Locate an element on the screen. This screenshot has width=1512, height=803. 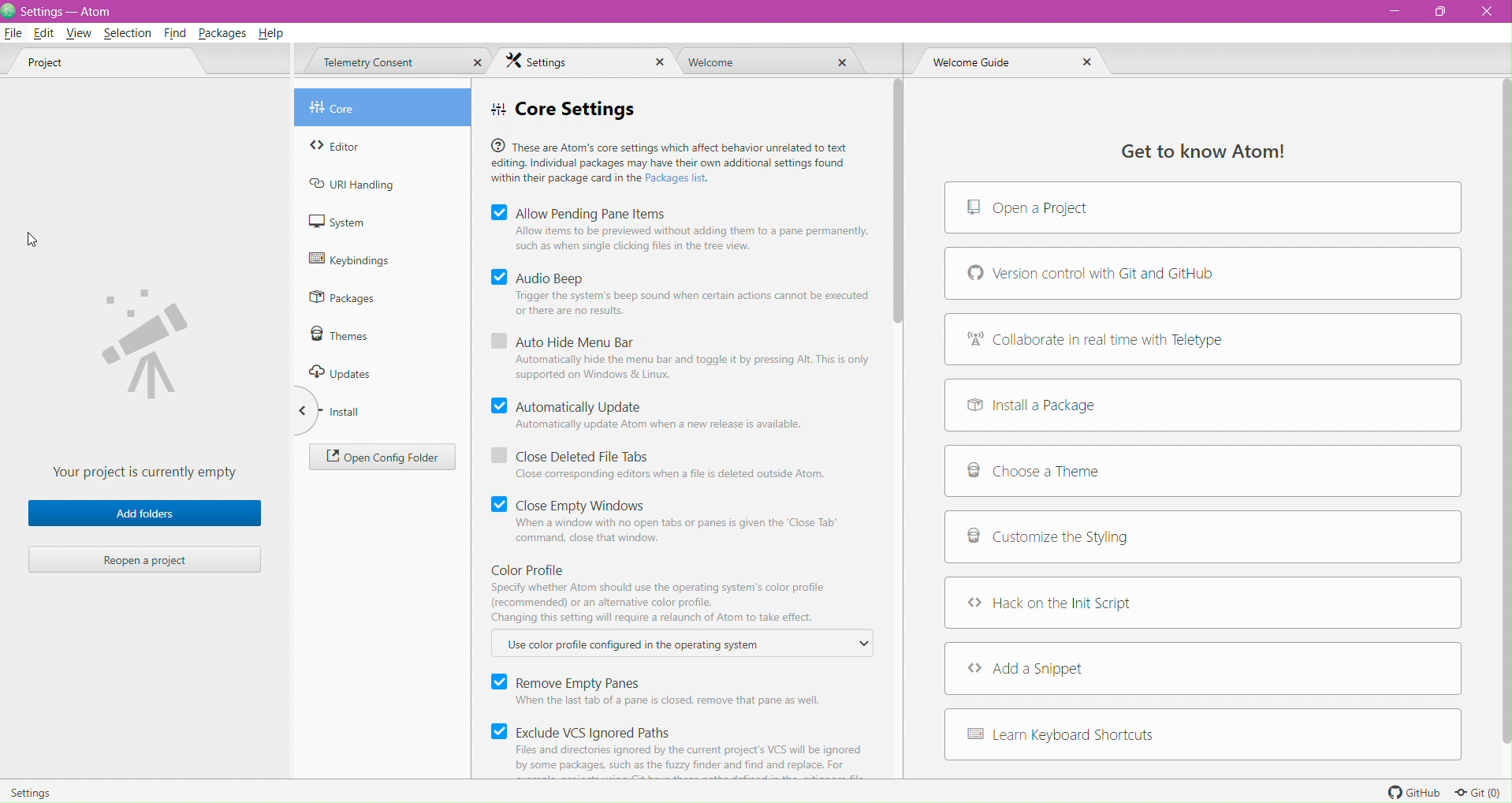
Packages is located at coordinates (352, 299).